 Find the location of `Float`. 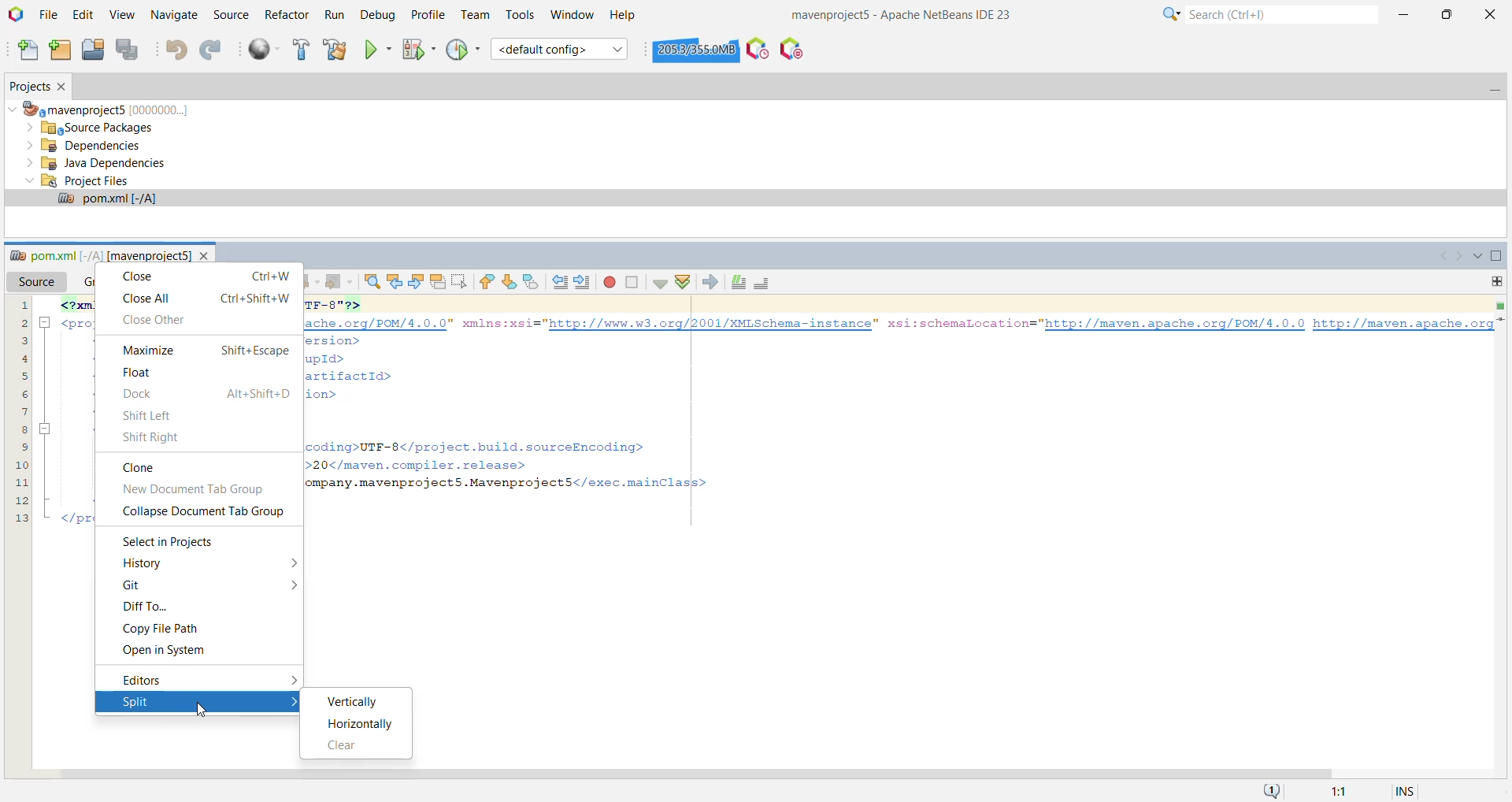

Float is located at coordinates (144, 373).